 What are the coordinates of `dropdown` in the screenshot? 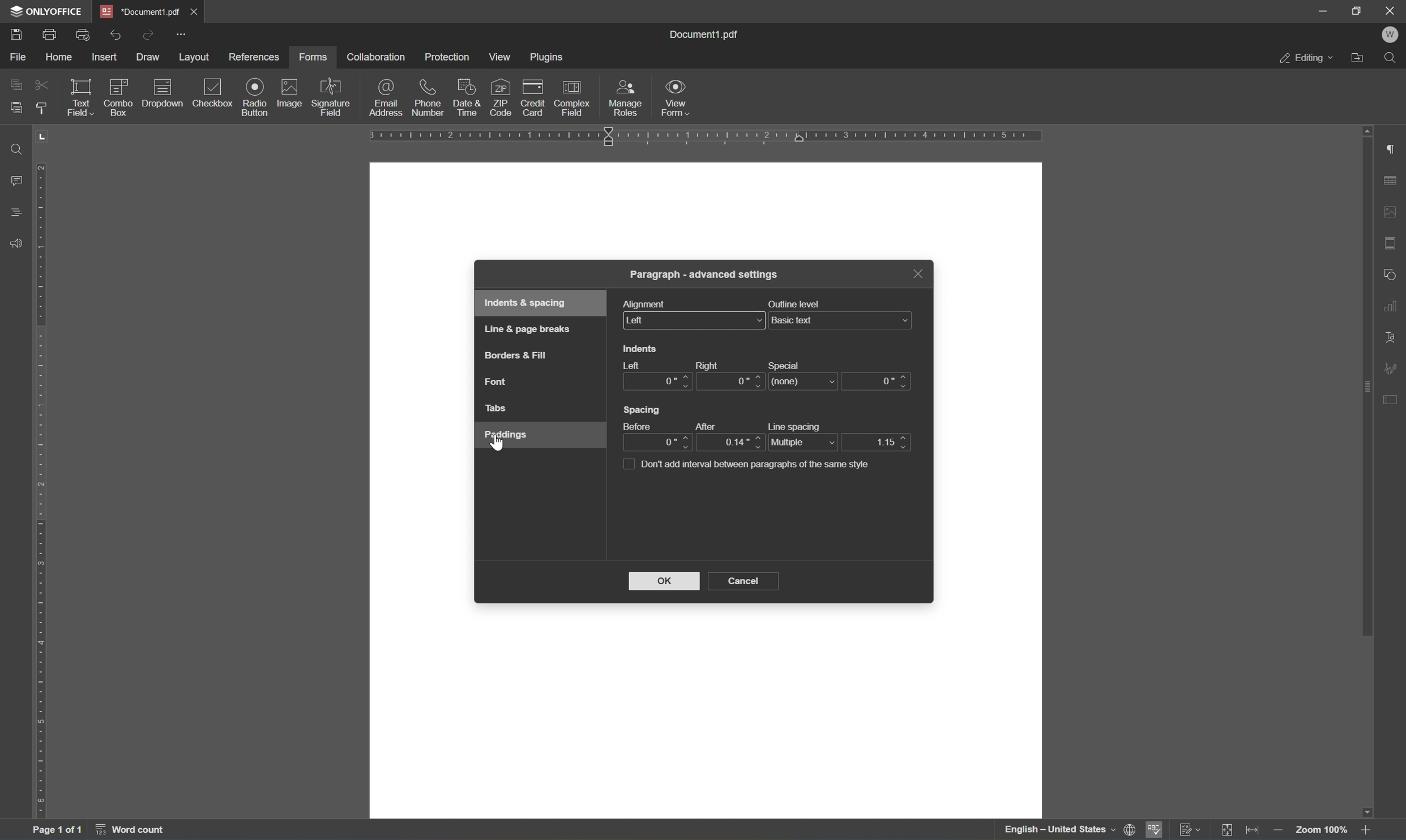 It's located at (164, 93).